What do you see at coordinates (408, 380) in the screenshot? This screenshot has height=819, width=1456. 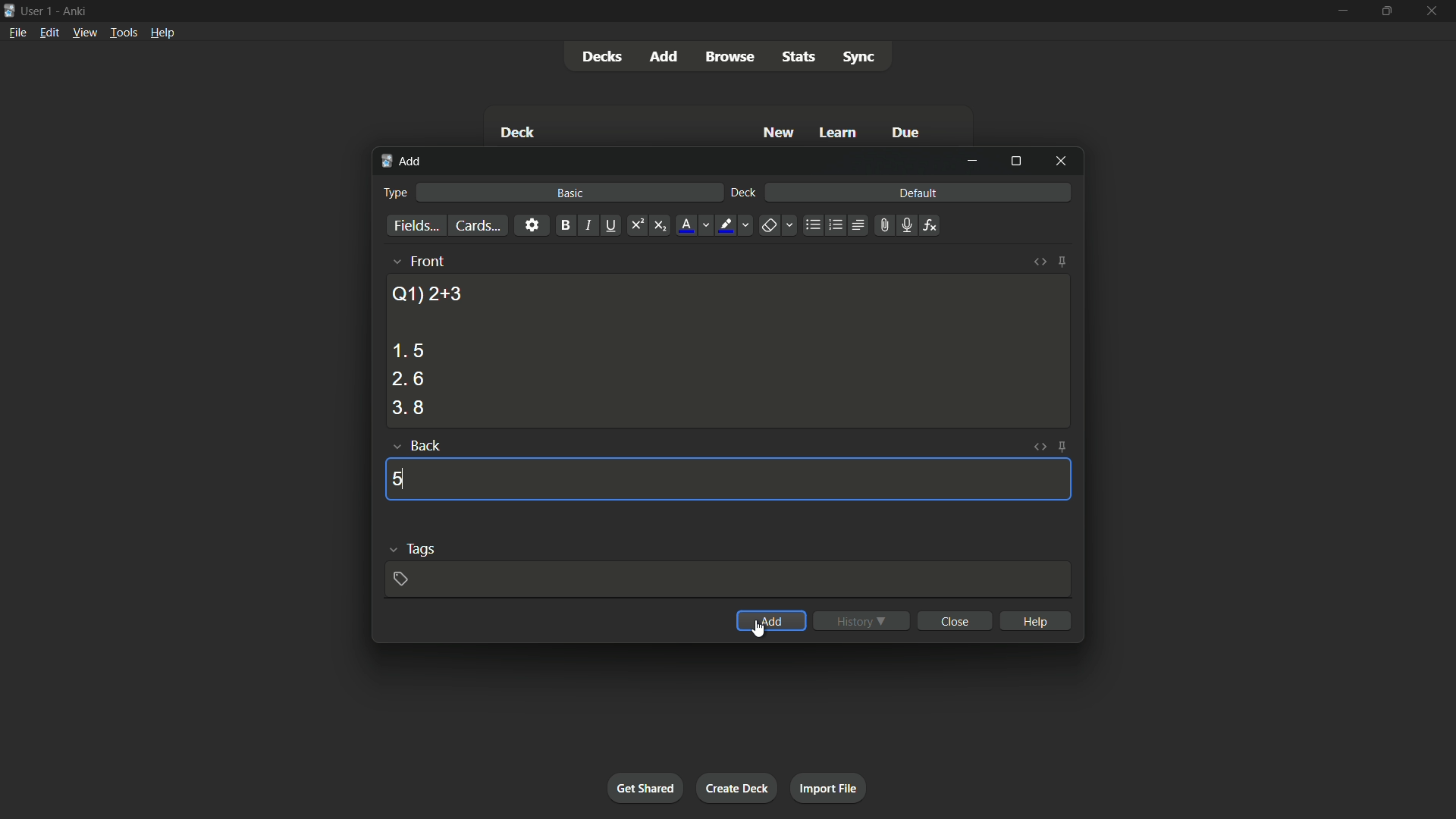 I see `option 2` at bounding box center [408, 380].